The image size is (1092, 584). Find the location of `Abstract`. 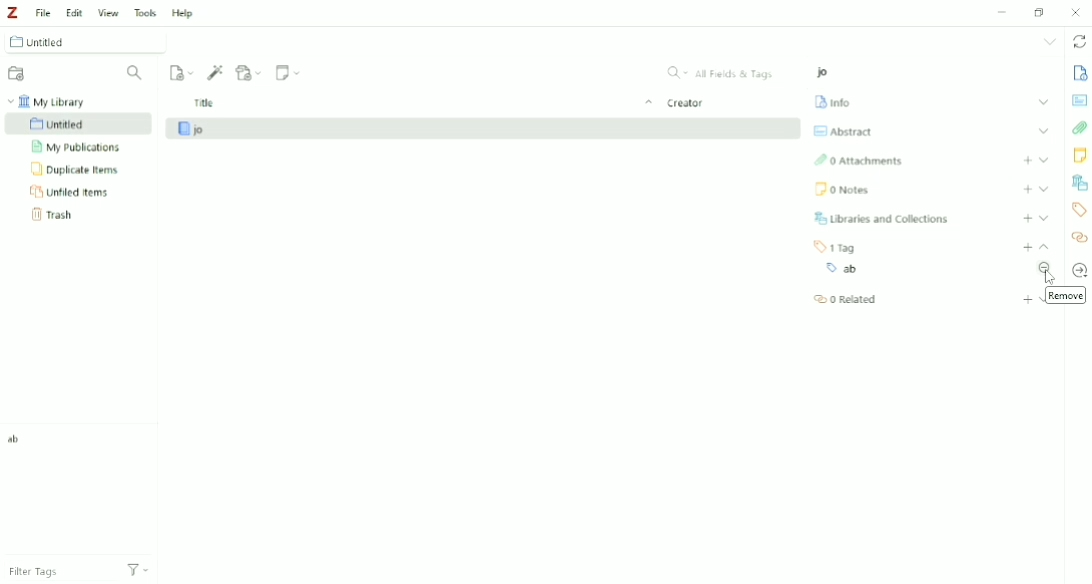

Abstract is located at coordinates (843, 131).